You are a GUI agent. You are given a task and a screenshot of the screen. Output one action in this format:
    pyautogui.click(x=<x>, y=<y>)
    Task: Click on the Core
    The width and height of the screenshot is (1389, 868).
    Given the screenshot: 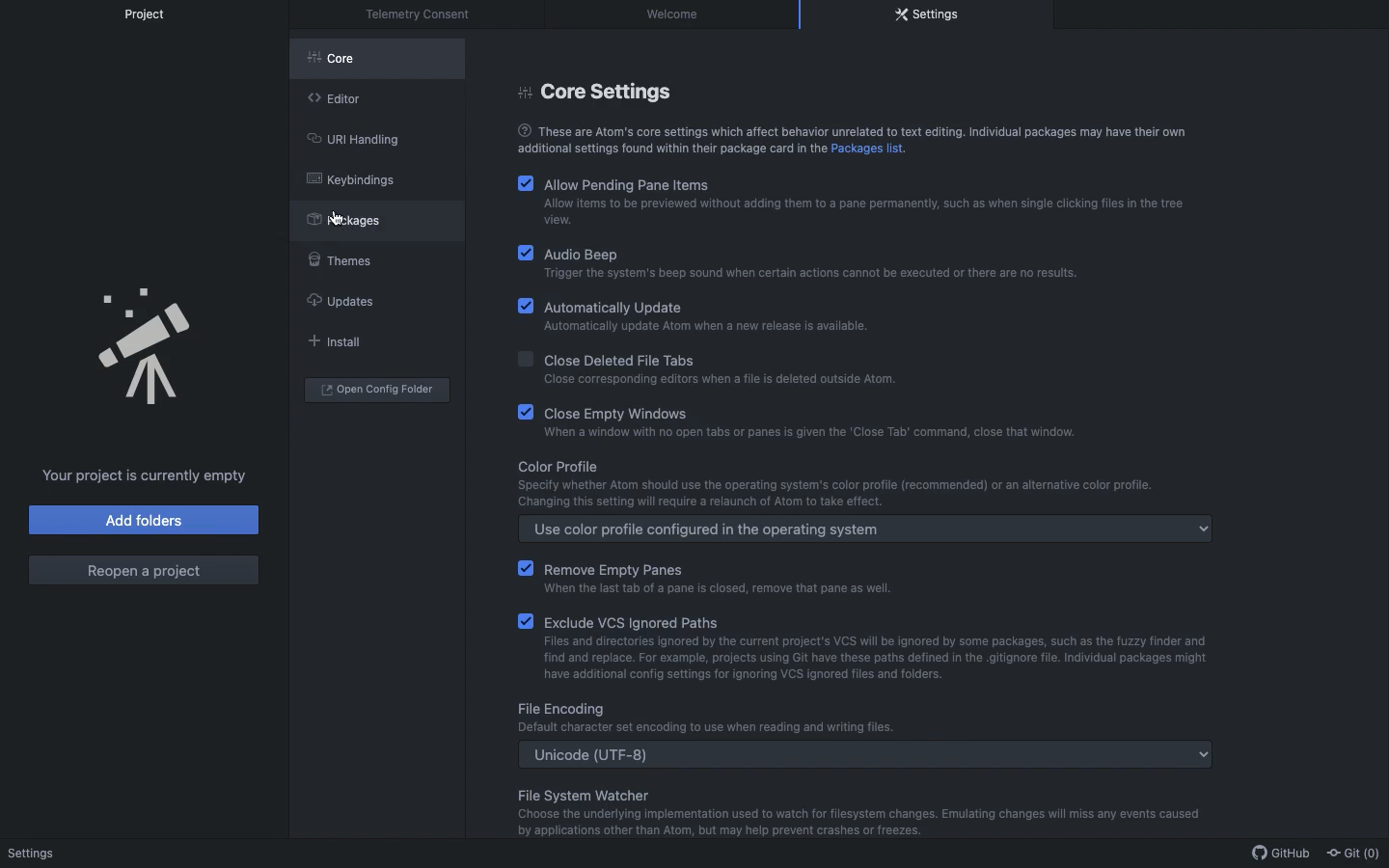 What is the action you would take?
    pyautogui.click(x=341, y=62)
    